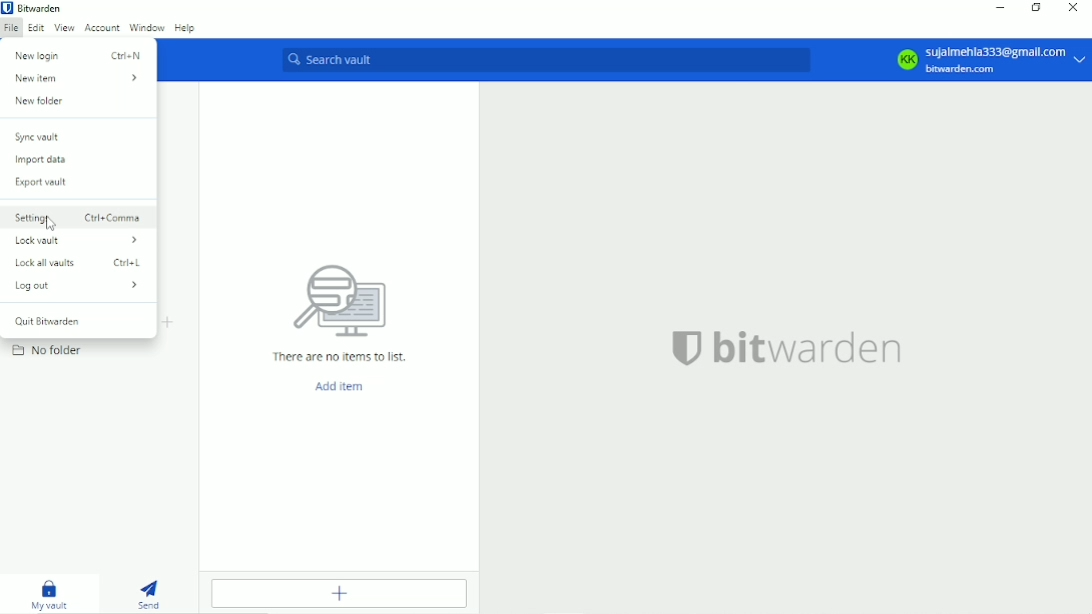 Image resolution: width=1092 pixels, height=614 pixels. What do you see at coordinates (45, 182) in the screenshot?
I see `Export vault` at bounding box center [45, 182].